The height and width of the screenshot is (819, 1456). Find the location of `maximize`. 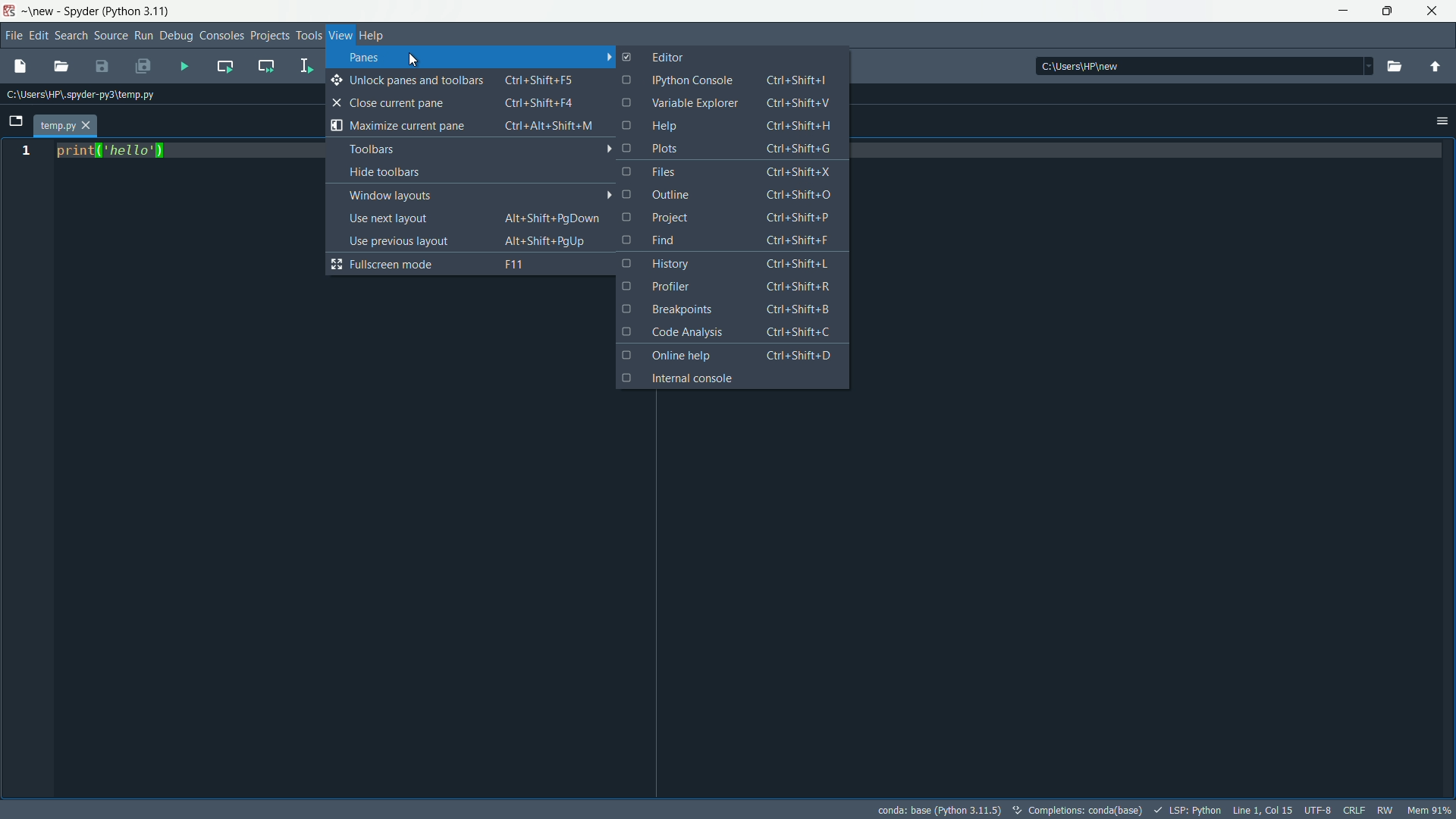

maximize is located at coordinates (1391, 11).